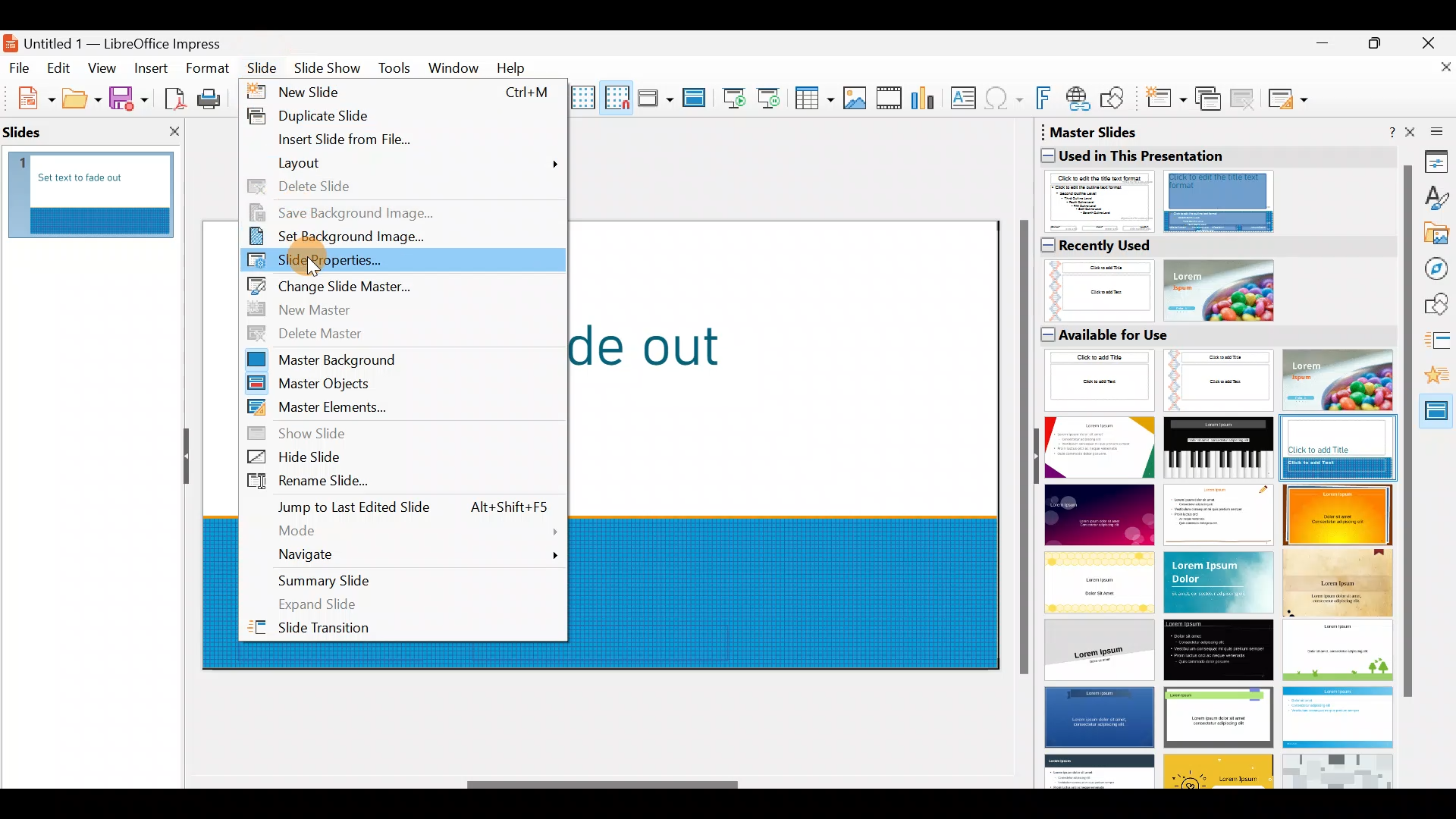 Image resolution: width=1456 pixels, height=819 pixels. What do you see at coordinates (1437, 74) in the screenshot?
I see `Close document` at bounding box center [1437, 74].